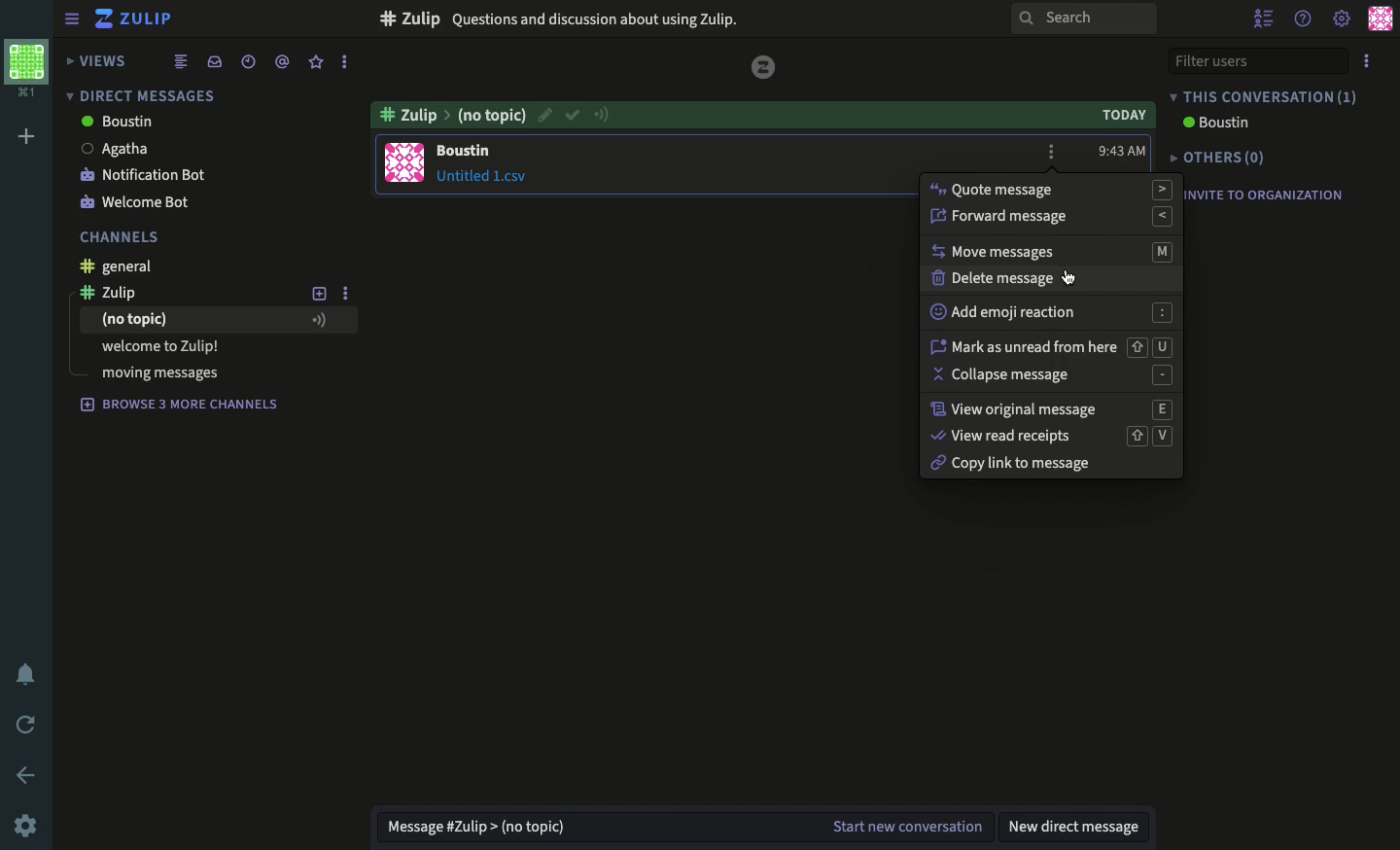  I want to click on questions and discussions about zulip, so click(601, 20).